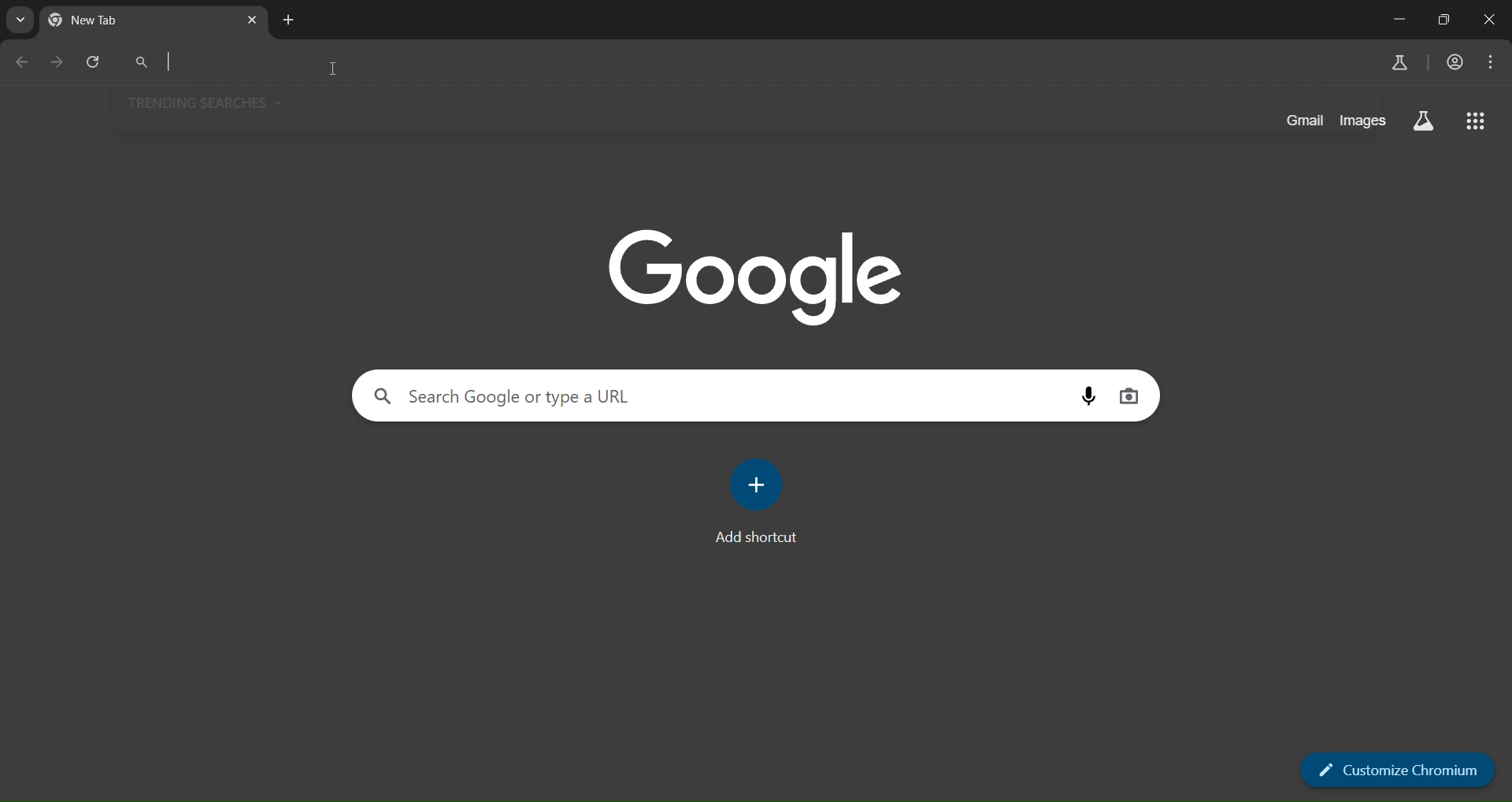 The height and width of the screenshot is (802, 1512). Describe the element at coordinates (1365, 121) in the screenshot. I see `images` at that location.